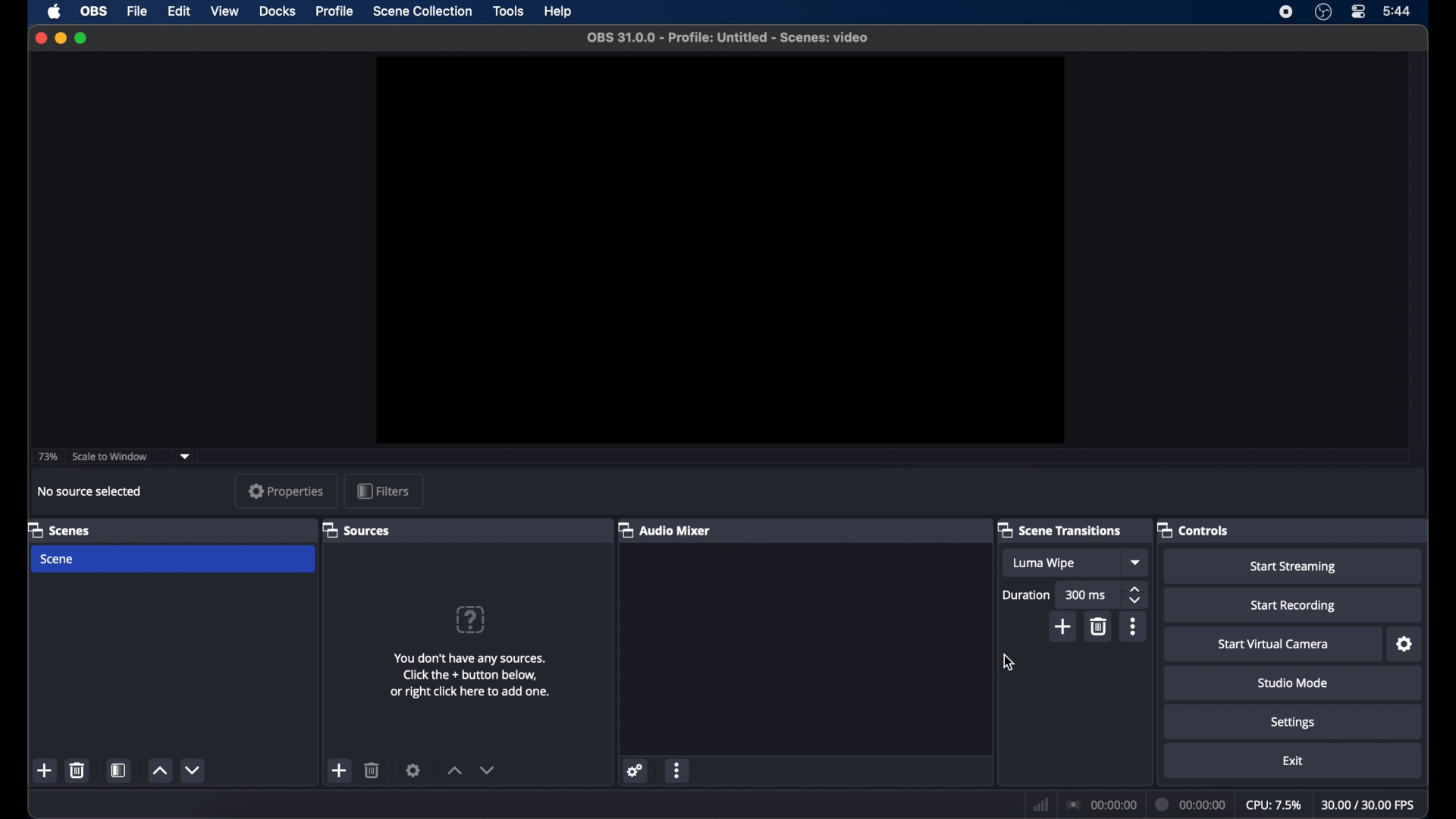  Describe the element at coordinates (1133, 626) in the screenshot. I see `more options` at that location.